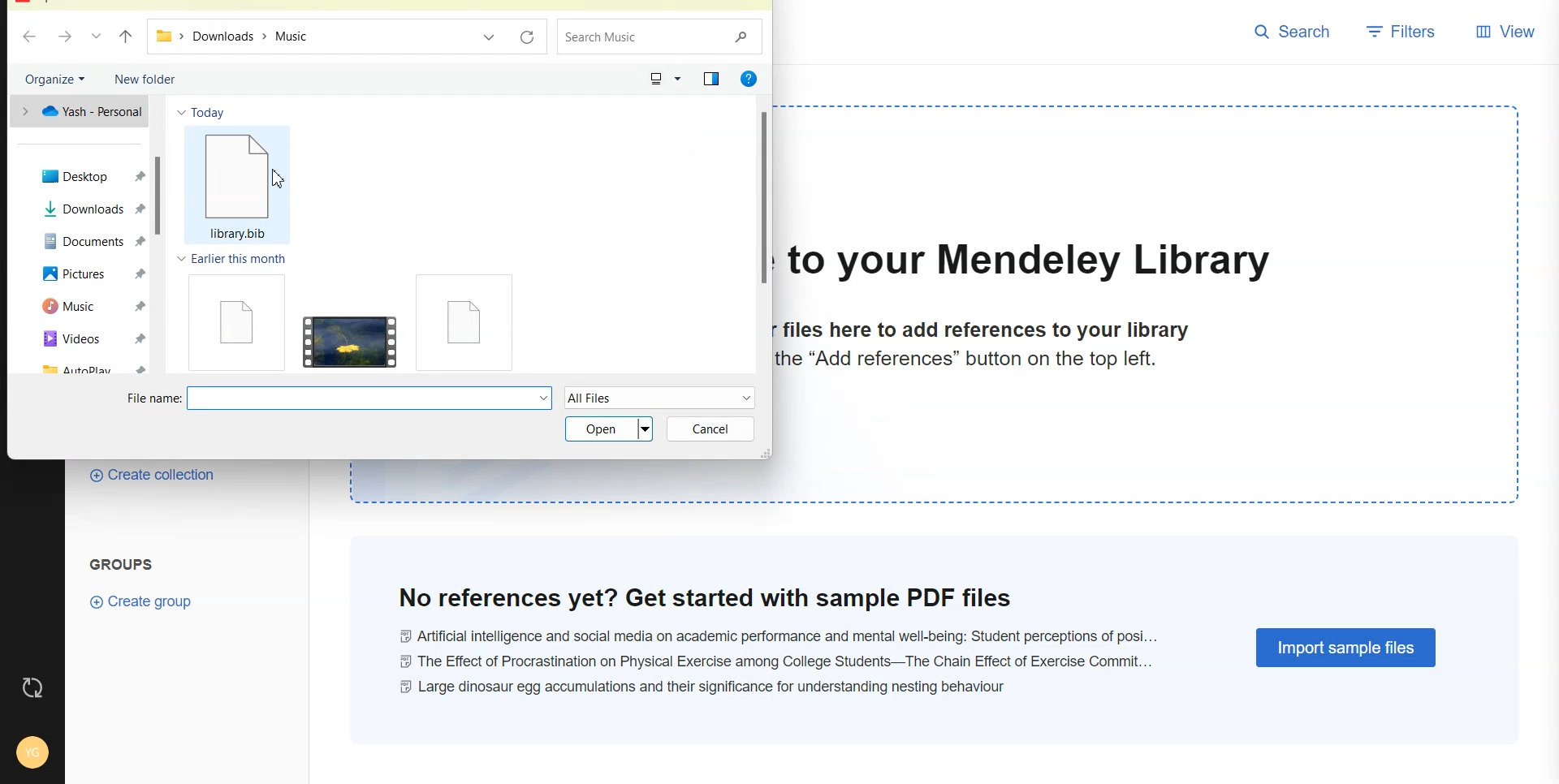  Describe the element at coordinates (660, 398) in the screenshot. I see `All Files` at that location.